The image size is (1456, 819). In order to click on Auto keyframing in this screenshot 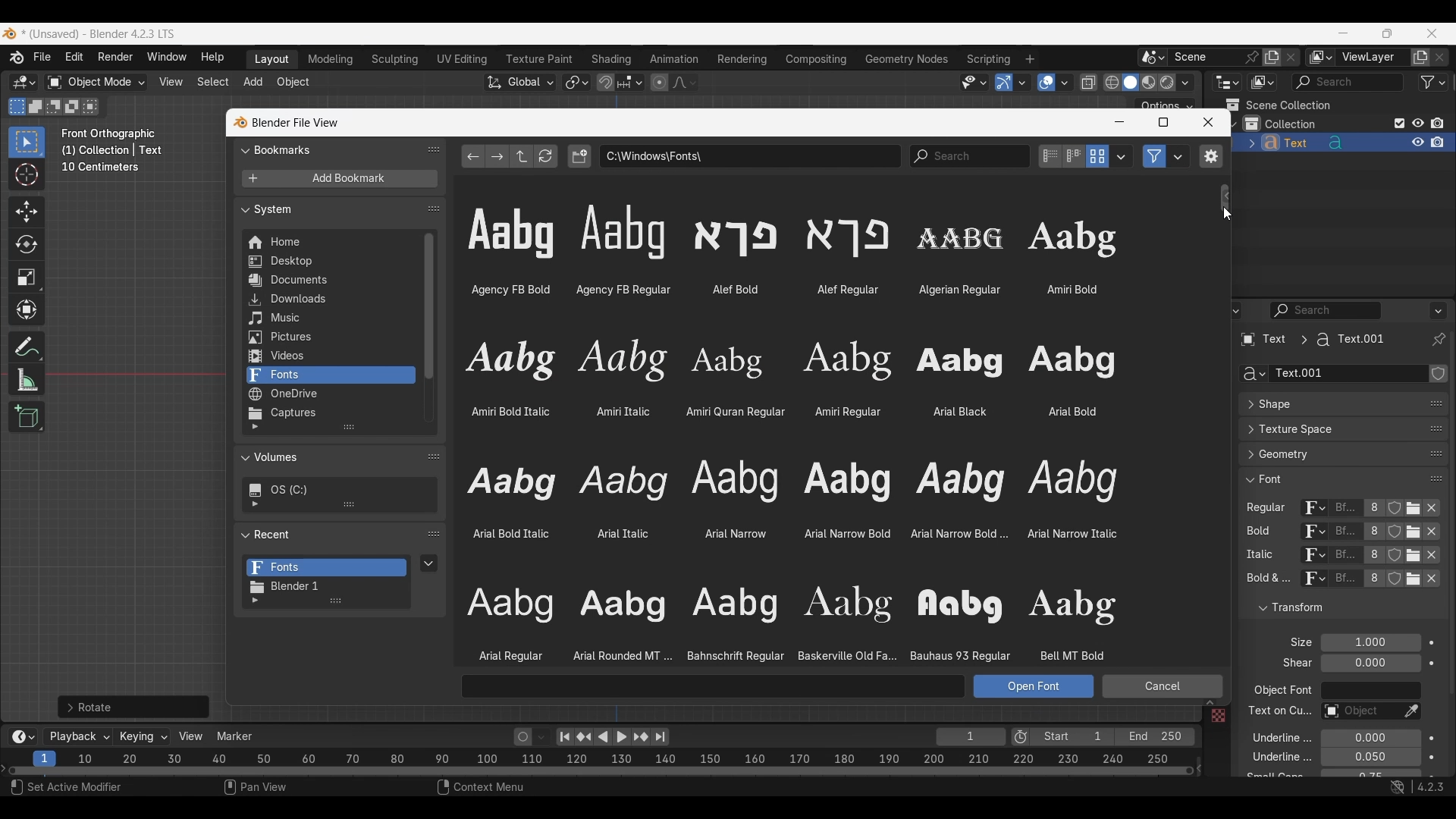, I will do `click(541, 737)`.